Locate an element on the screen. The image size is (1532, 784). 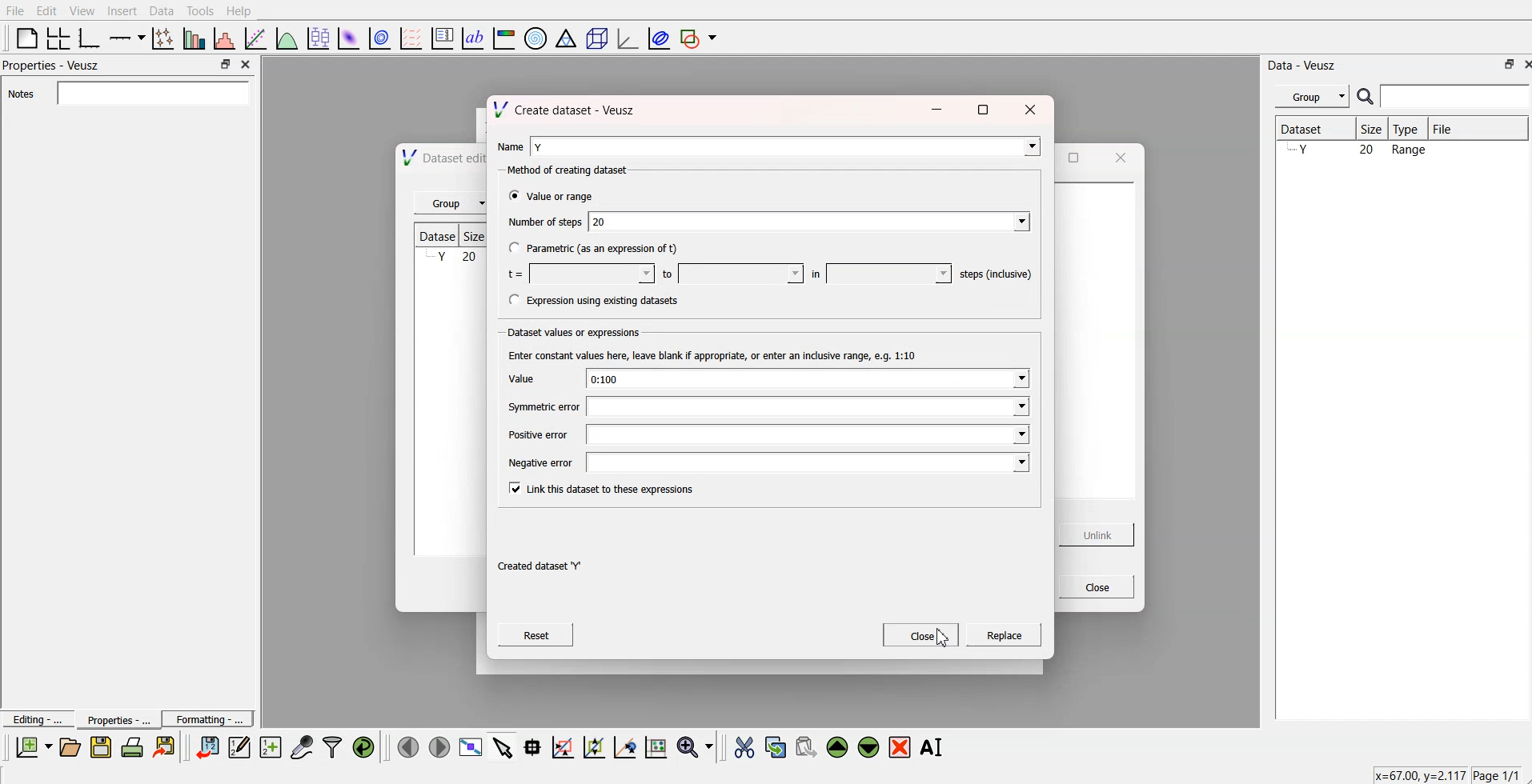
Close is located at coordinates (921, 636).